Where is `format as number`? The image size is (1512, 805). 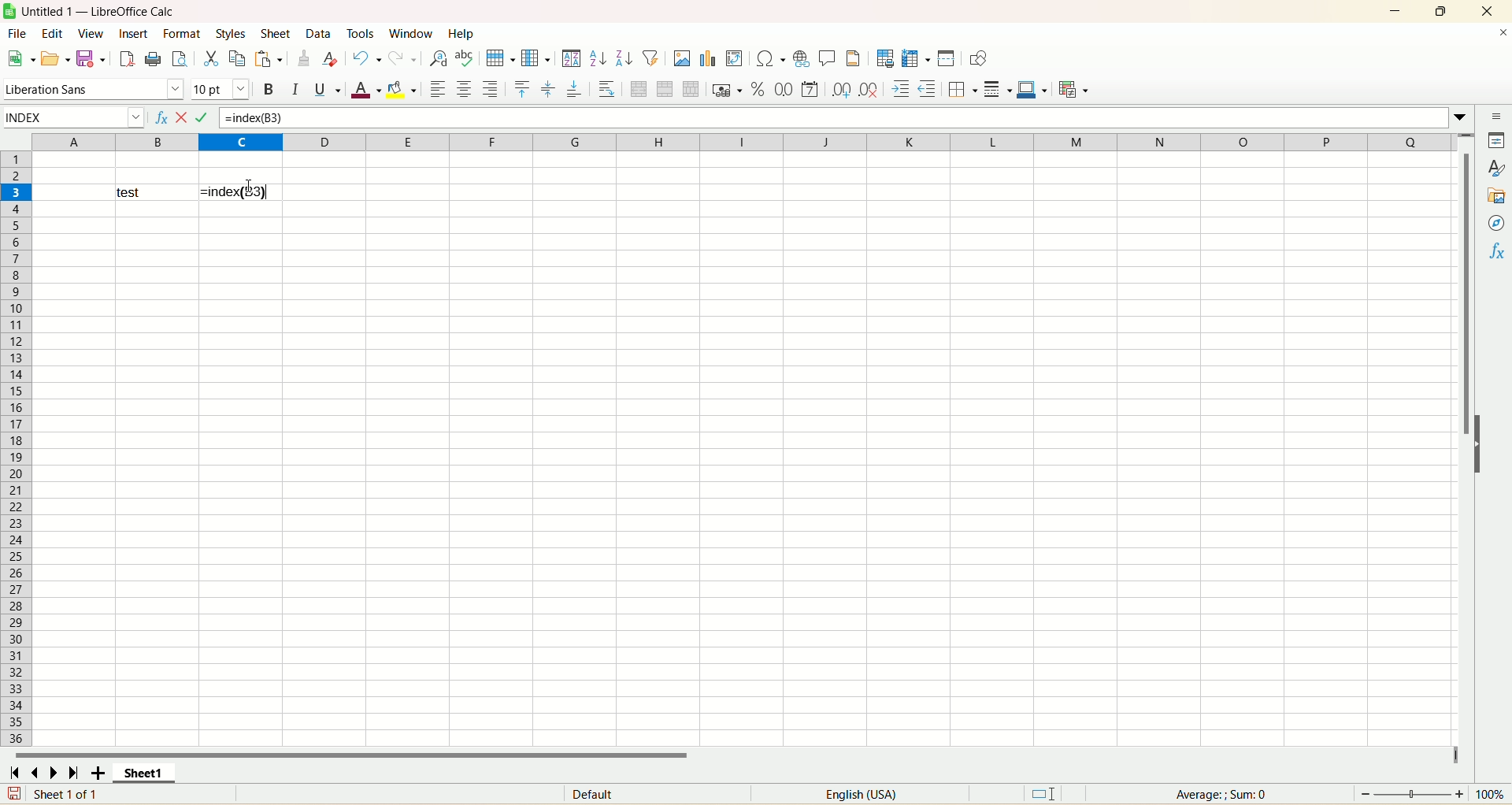
format as number is located at coordinates (784, 89).